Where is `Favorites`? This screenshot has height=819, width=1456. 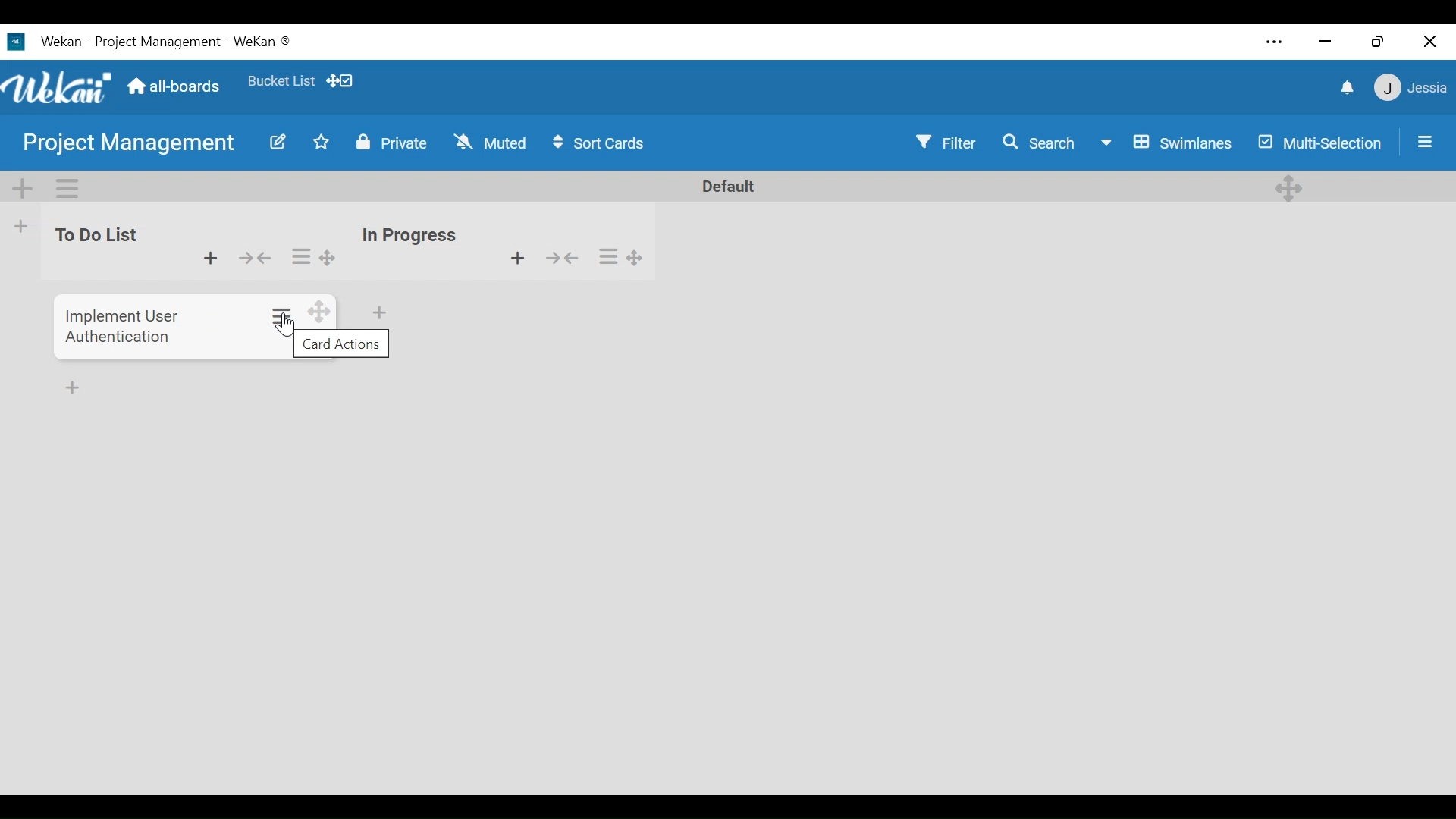
Favorites is located at coordinates (280, 80).